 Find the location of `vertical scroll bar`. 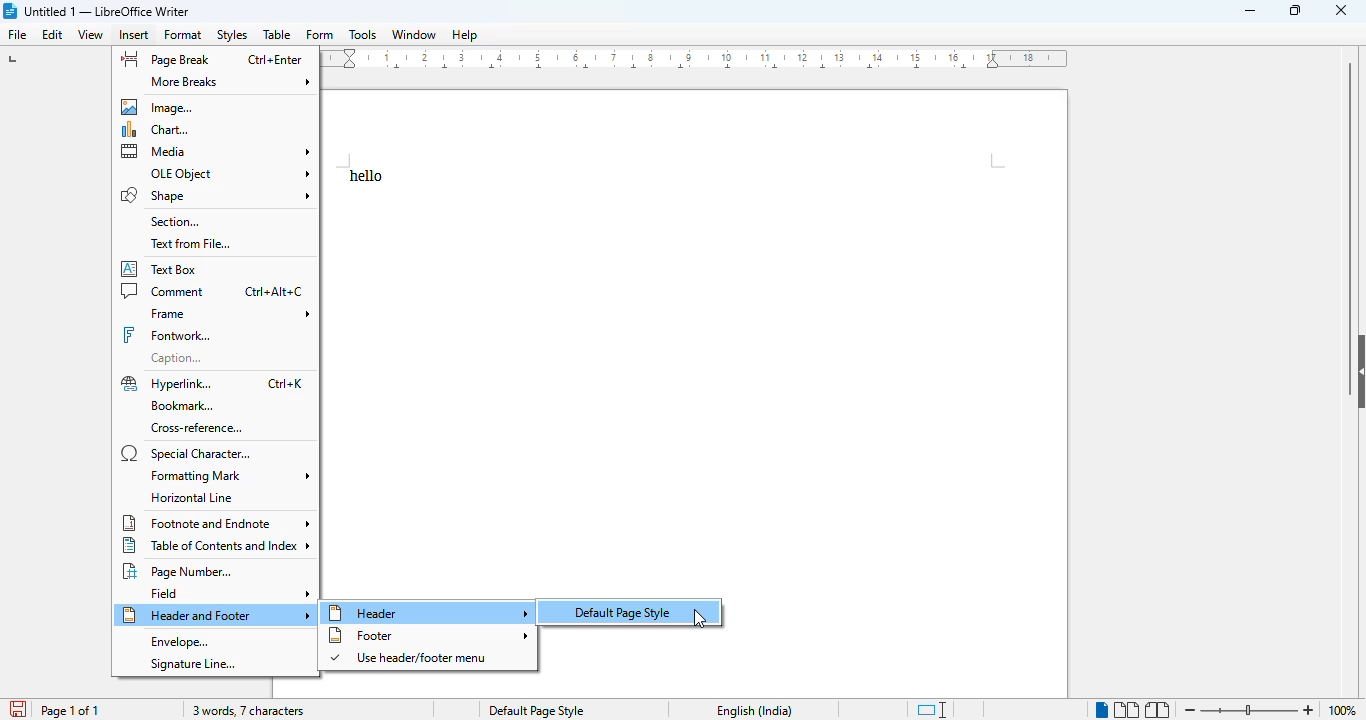

vertical scroll bar is located at coordinates (1351, 192).